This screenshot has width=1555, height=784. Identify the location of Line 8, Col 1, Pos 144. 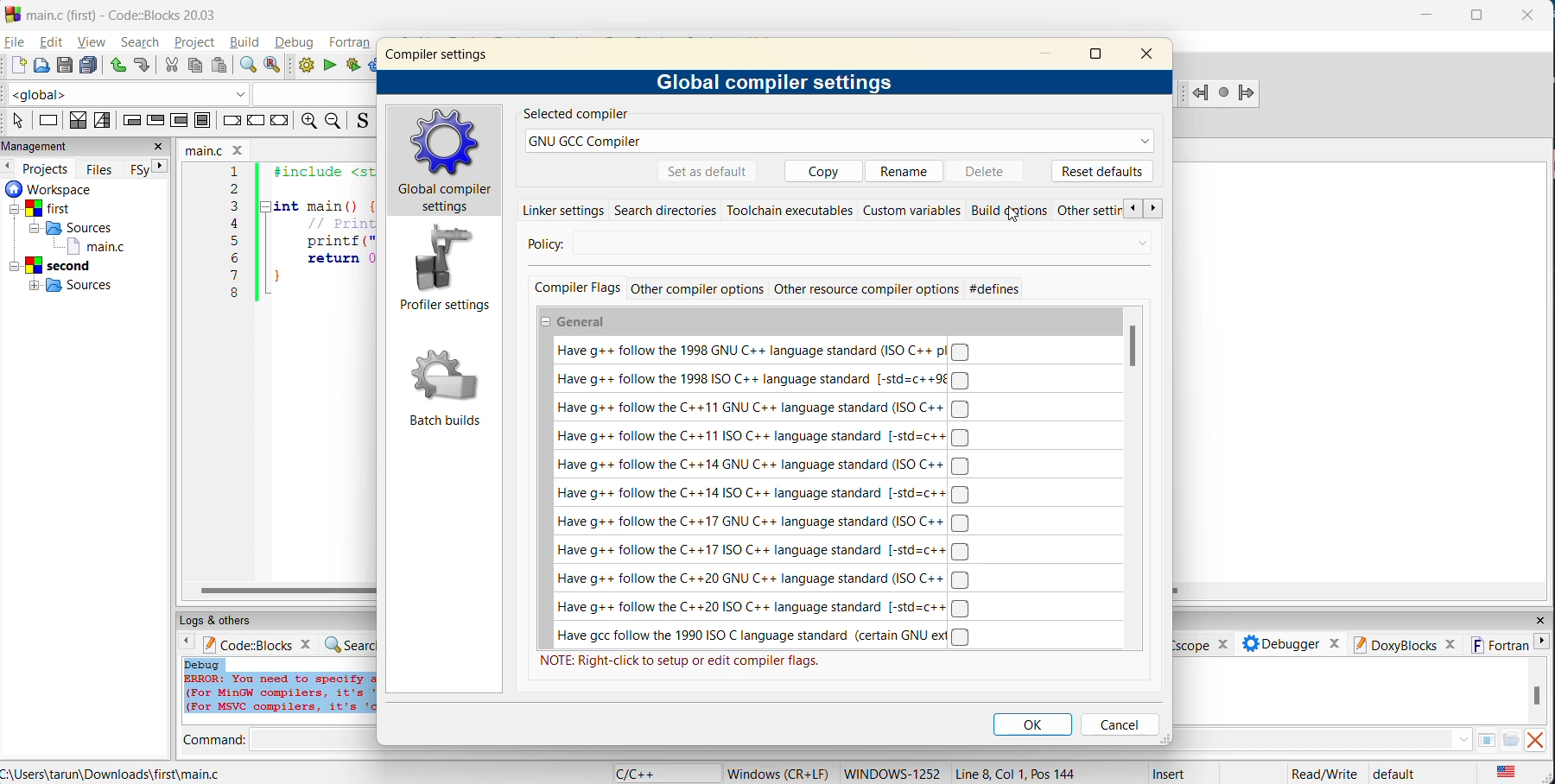
(1016, 773).